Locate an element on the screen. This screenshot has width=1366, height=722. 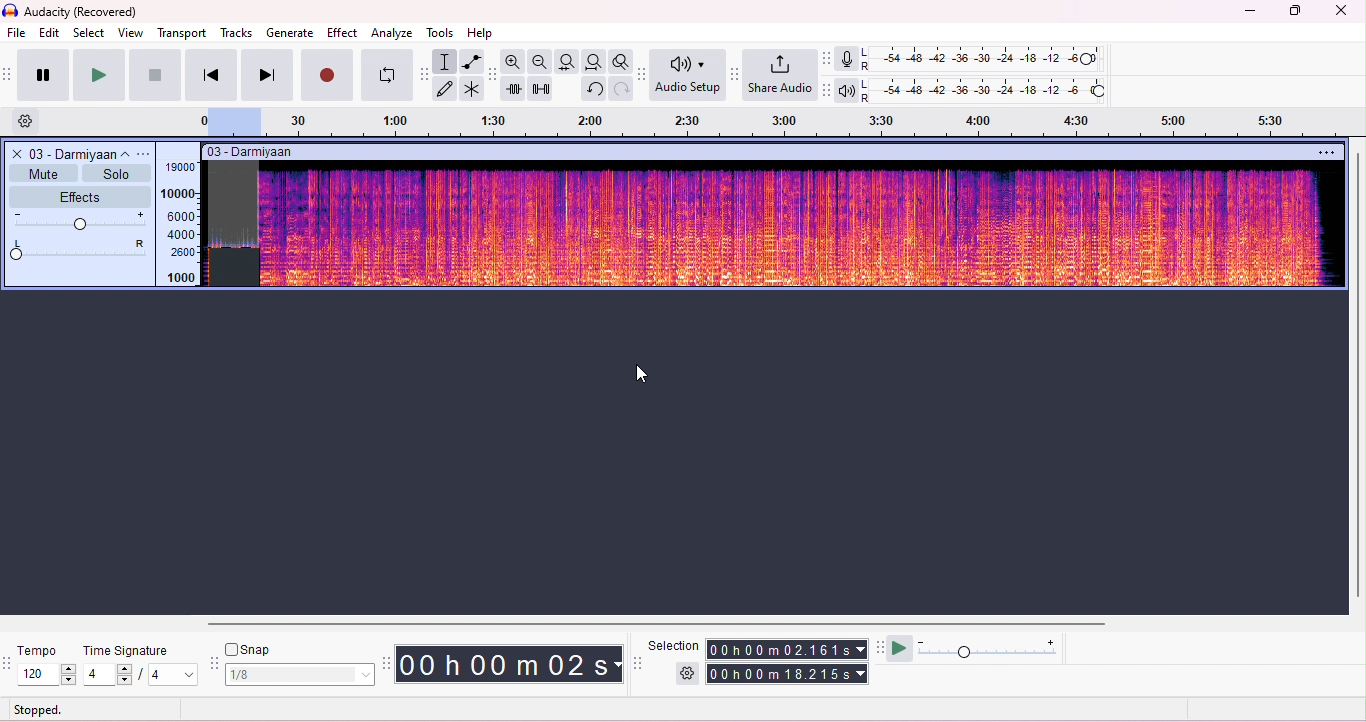
fit selection to width is located at coordinates (567, 62).